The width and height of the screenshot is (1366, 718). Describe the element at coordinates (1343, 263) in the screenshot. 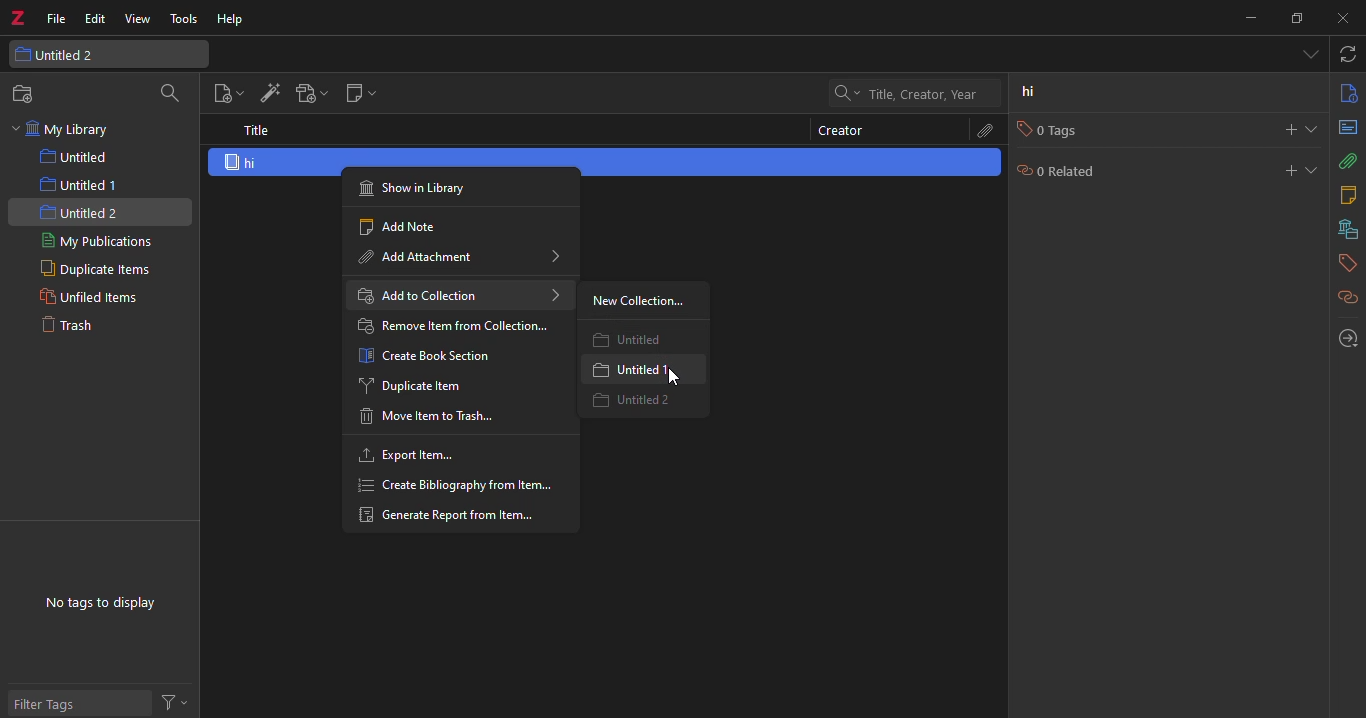

I see `tags` at that location.